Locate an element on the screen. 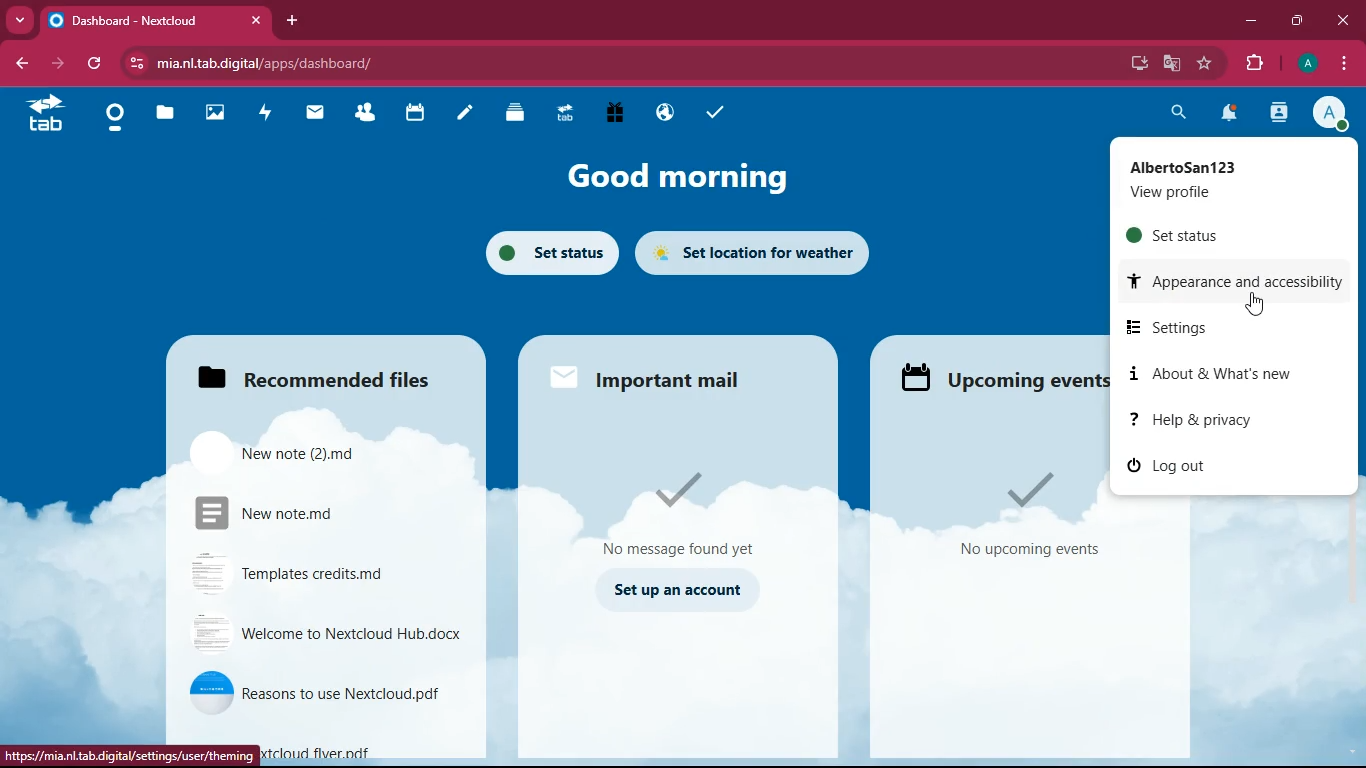  activity is located at coordinates (271, 110).